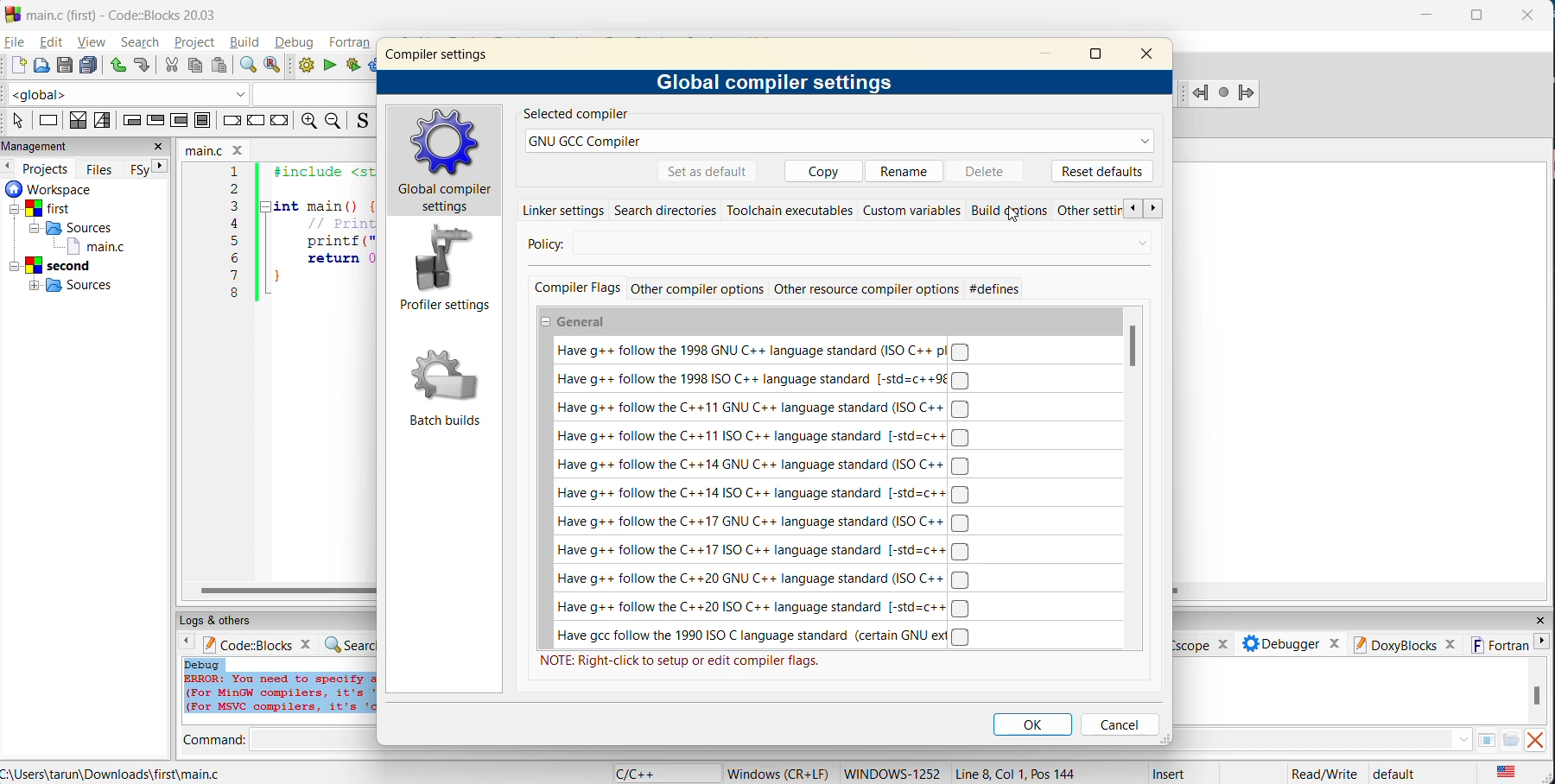 This screenshot has width=1555, height=784. I want to click on ok, so click(1033, 724).